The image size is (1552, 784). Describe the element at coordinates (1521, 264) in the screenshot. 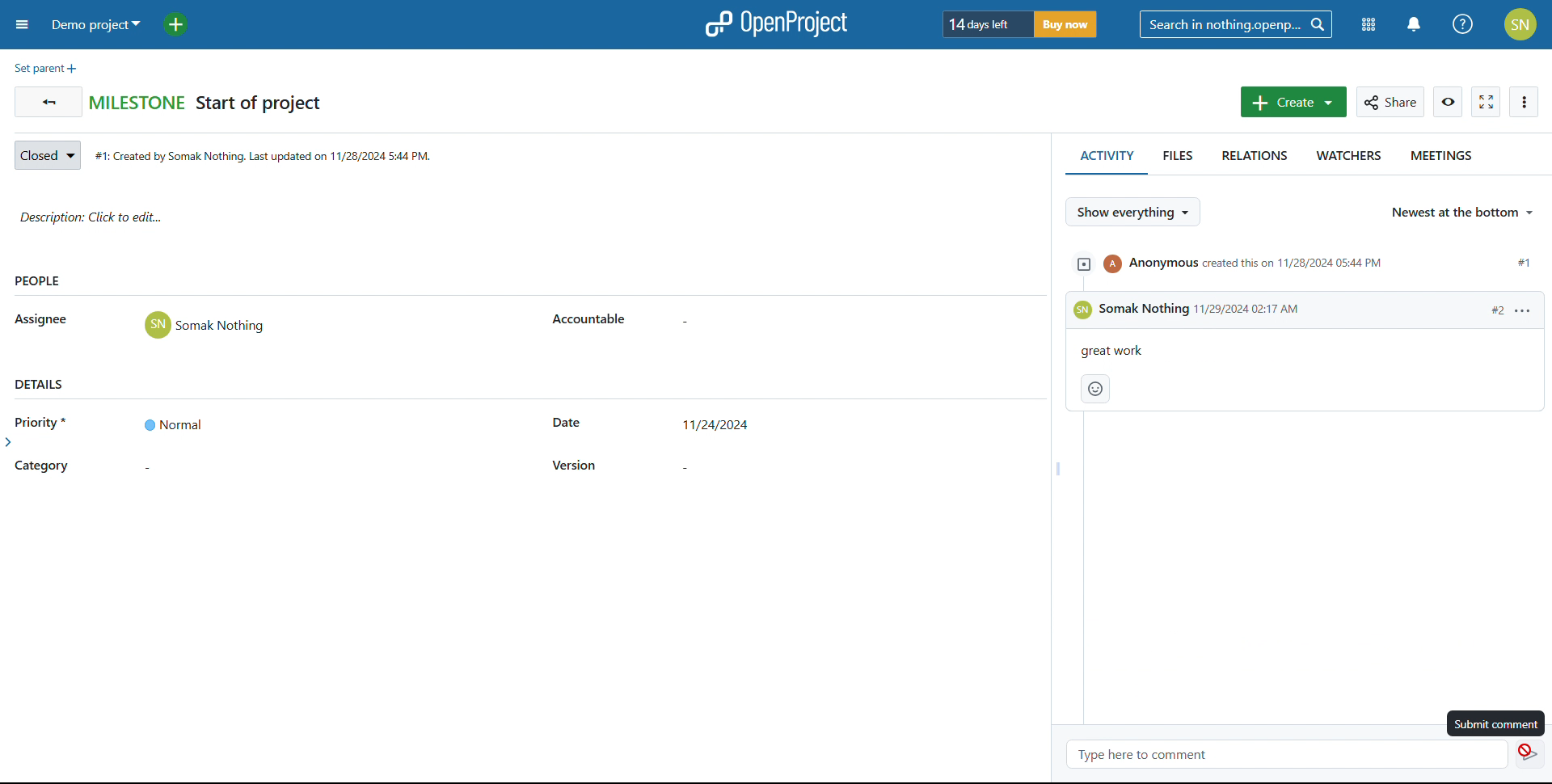

I see `#1` at that location.